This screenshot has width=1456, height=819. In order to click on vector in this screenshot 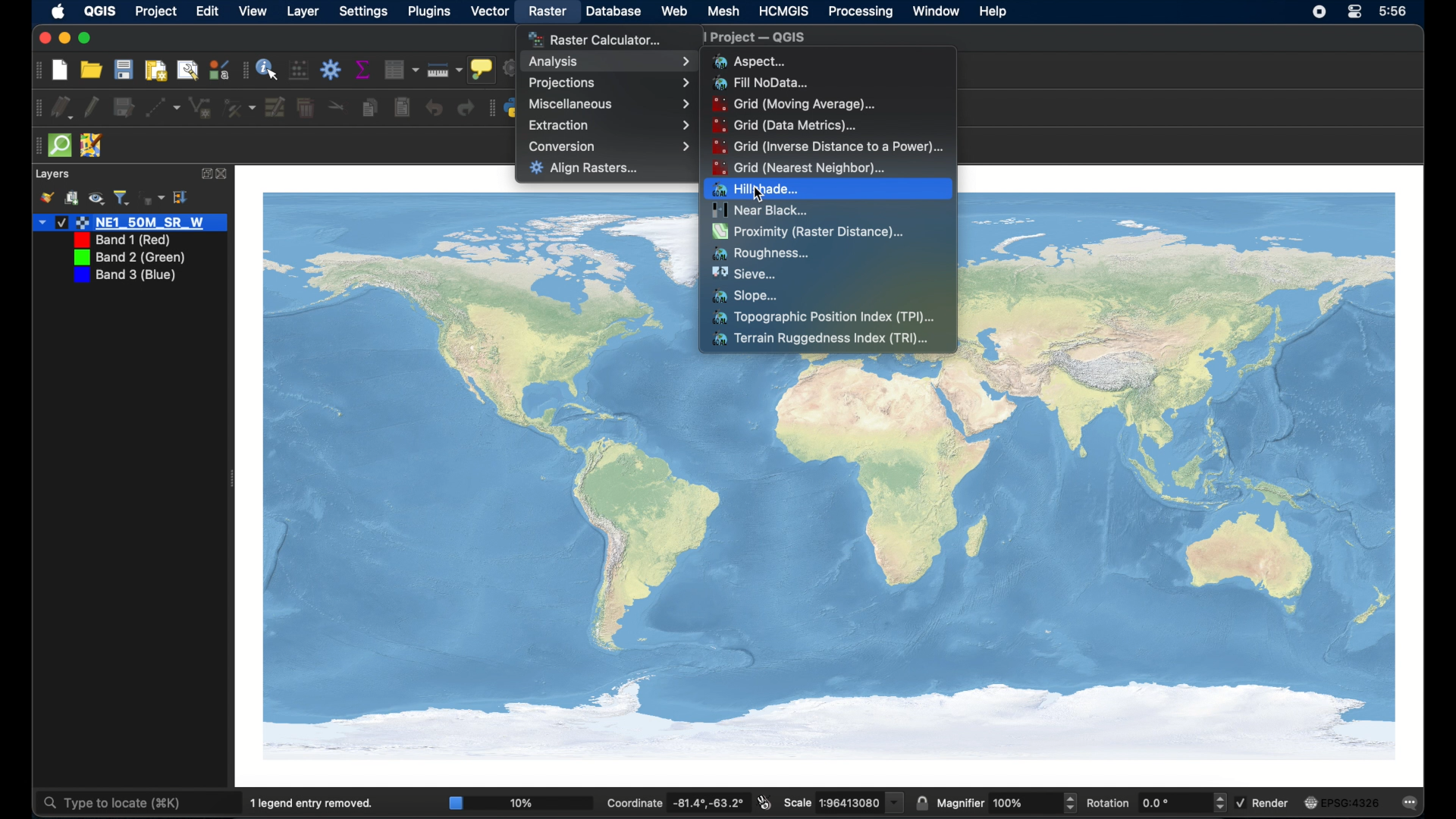, I will do `click(489, 11)`.